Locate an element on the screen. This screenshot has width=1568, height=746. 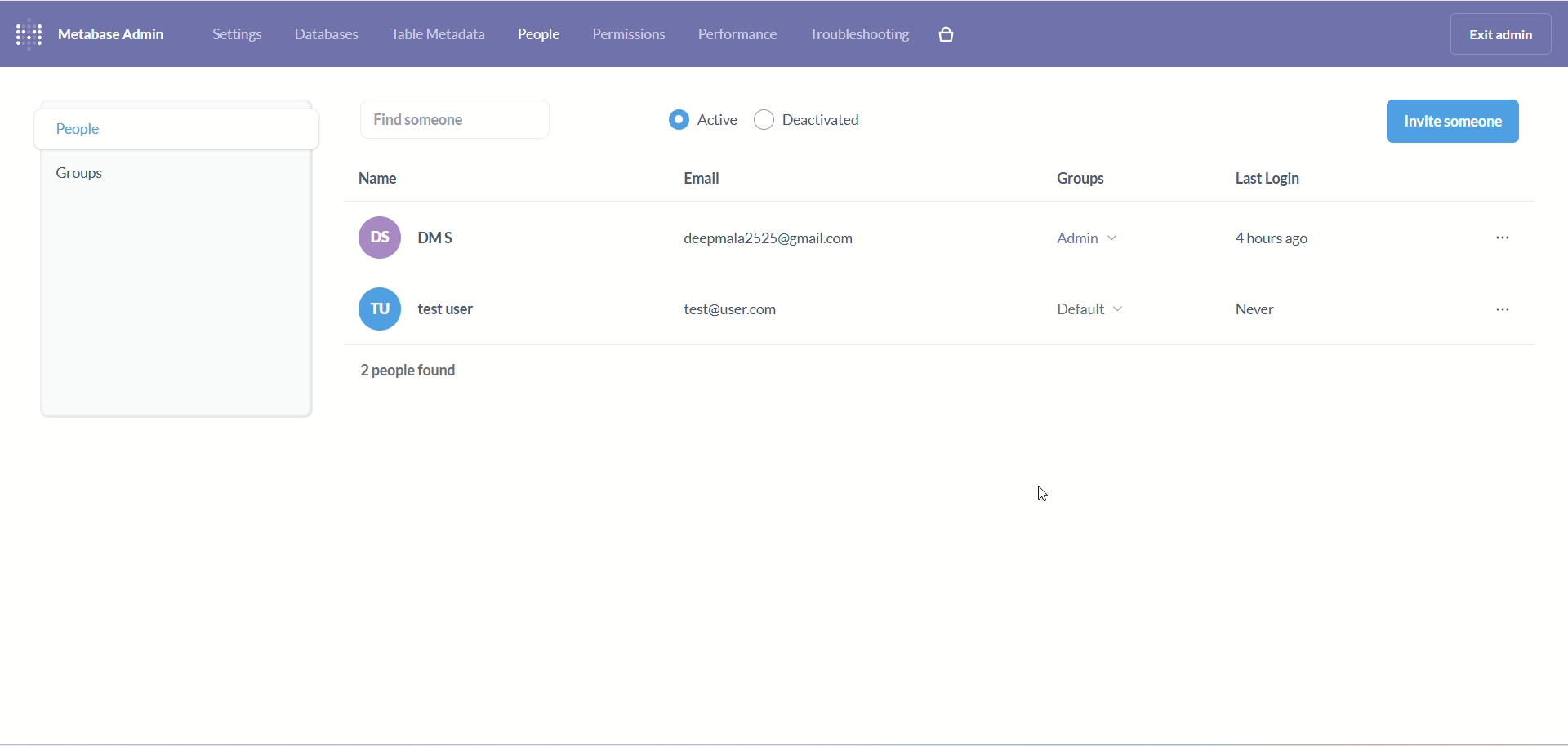
 is located at coordinates (408, 372).